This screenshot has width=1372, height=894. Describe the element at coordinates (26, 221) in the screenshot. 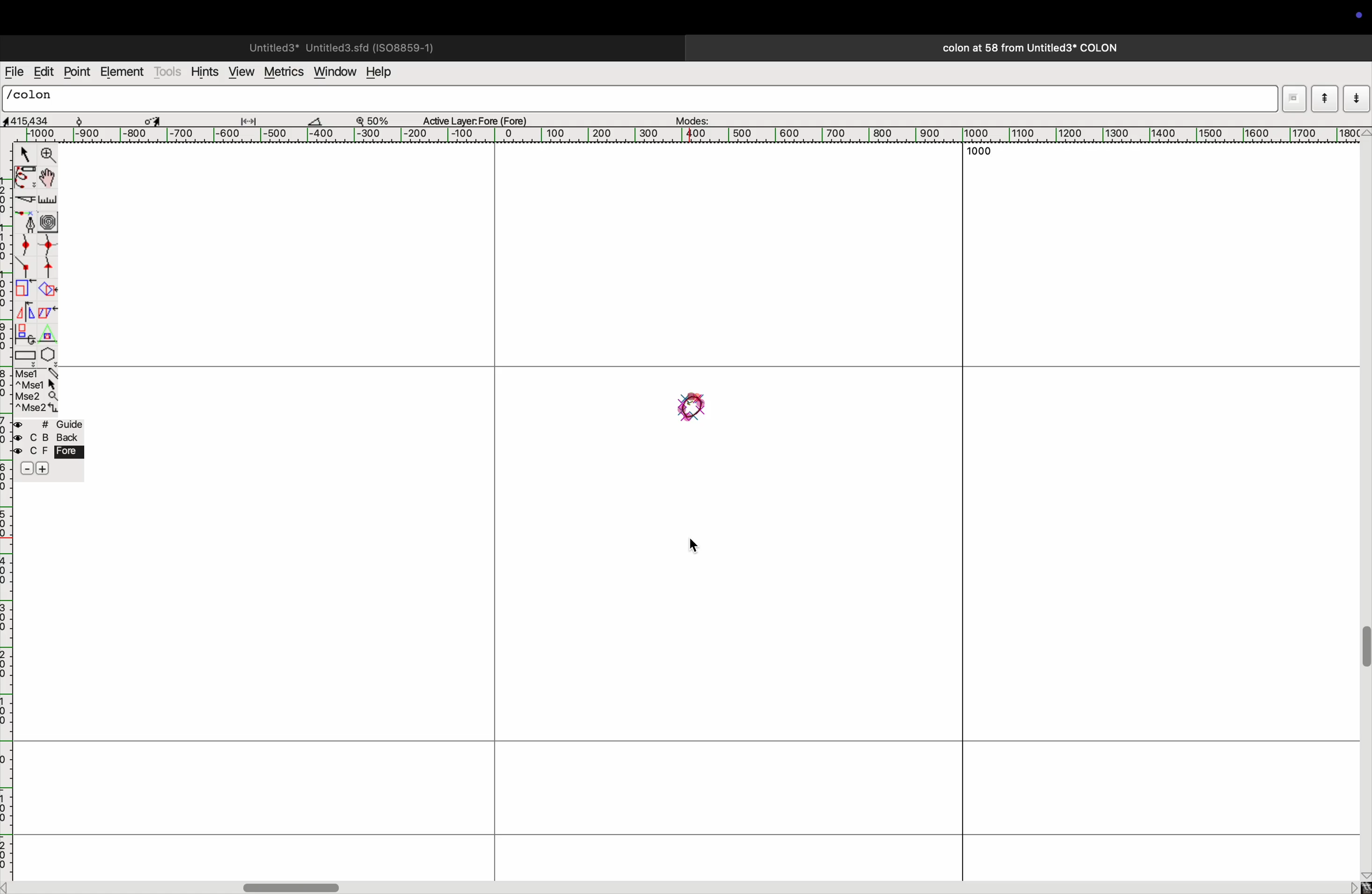

I see `fountain pen` at that location.